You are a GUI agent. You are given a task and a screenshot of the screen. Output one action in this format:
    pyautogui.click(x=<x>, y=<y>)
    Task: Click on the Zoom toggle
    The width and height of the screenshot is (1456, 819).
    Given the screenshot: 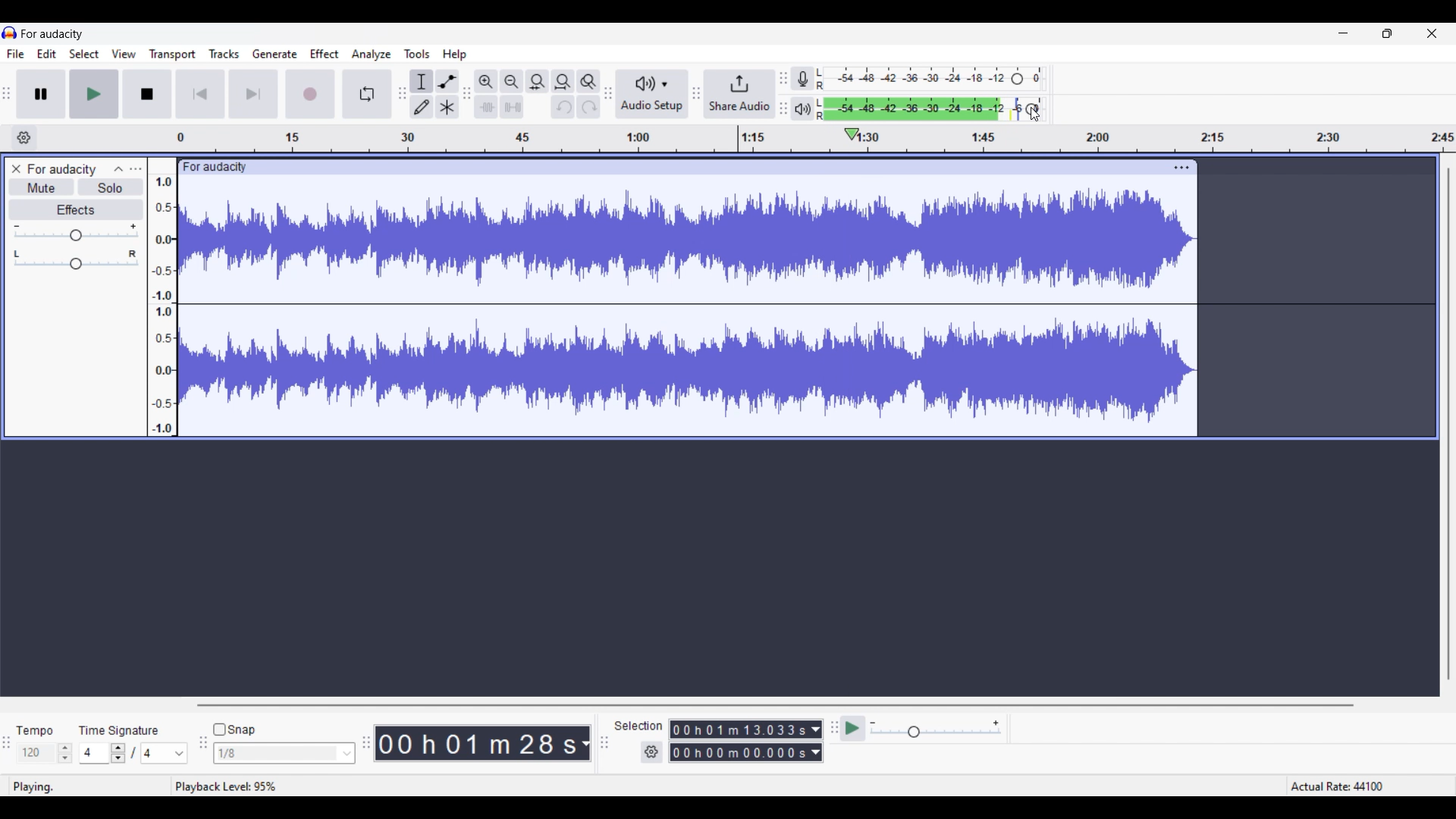 What is the action you would take?
    pyautogui.click(x=588, y=82)
    